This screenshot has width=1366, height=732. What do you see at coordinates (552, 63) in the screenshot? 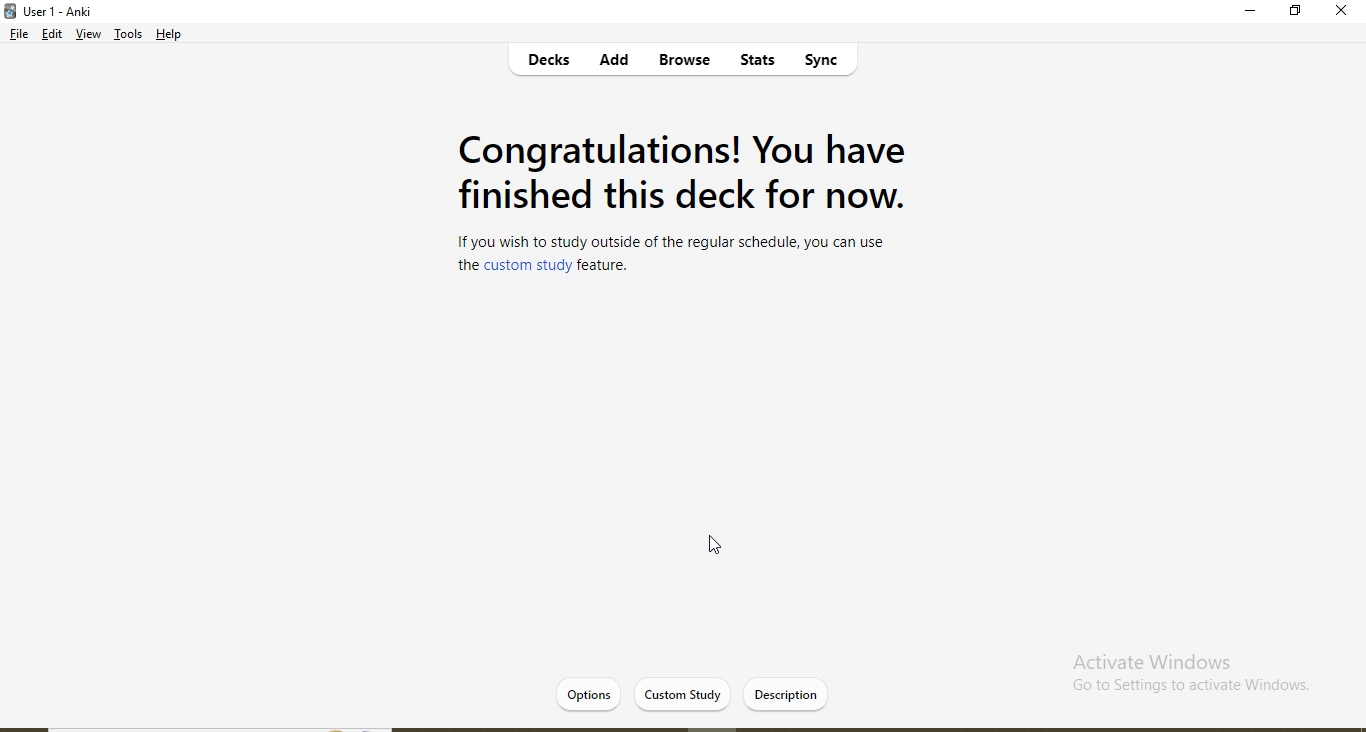
I see `decks` at bounding box center [552, 63].